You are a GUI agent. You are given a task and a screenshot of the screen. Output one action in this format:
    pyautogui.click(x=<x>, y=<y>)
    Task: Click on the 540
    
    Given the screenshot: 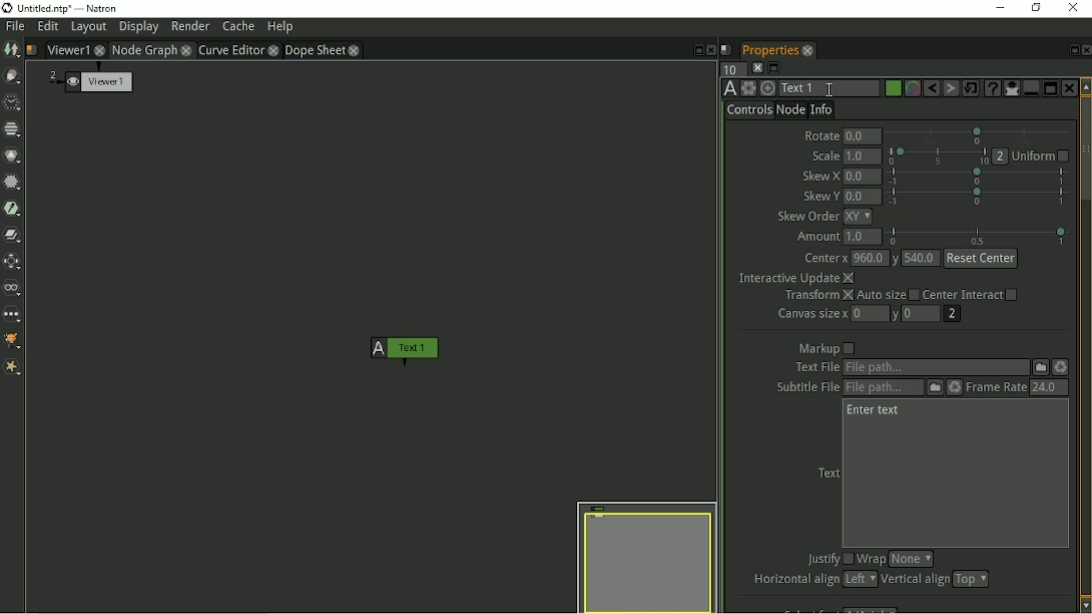 What is the action you would take?
    pyautogui.click(x=923, y=258)
    